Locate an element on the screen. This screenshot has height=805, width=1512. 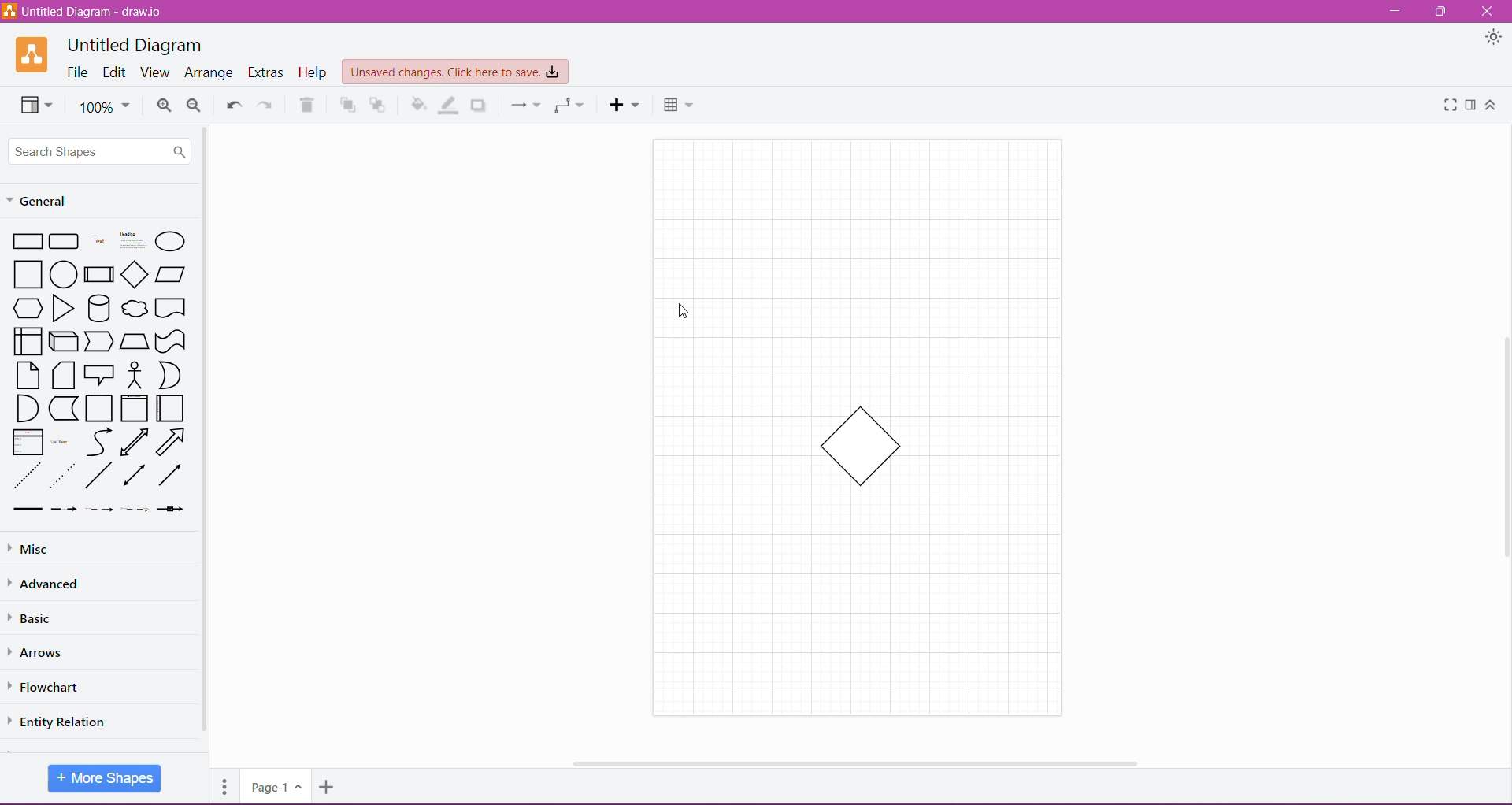
Minimize is located at coordinates (1394, 12).